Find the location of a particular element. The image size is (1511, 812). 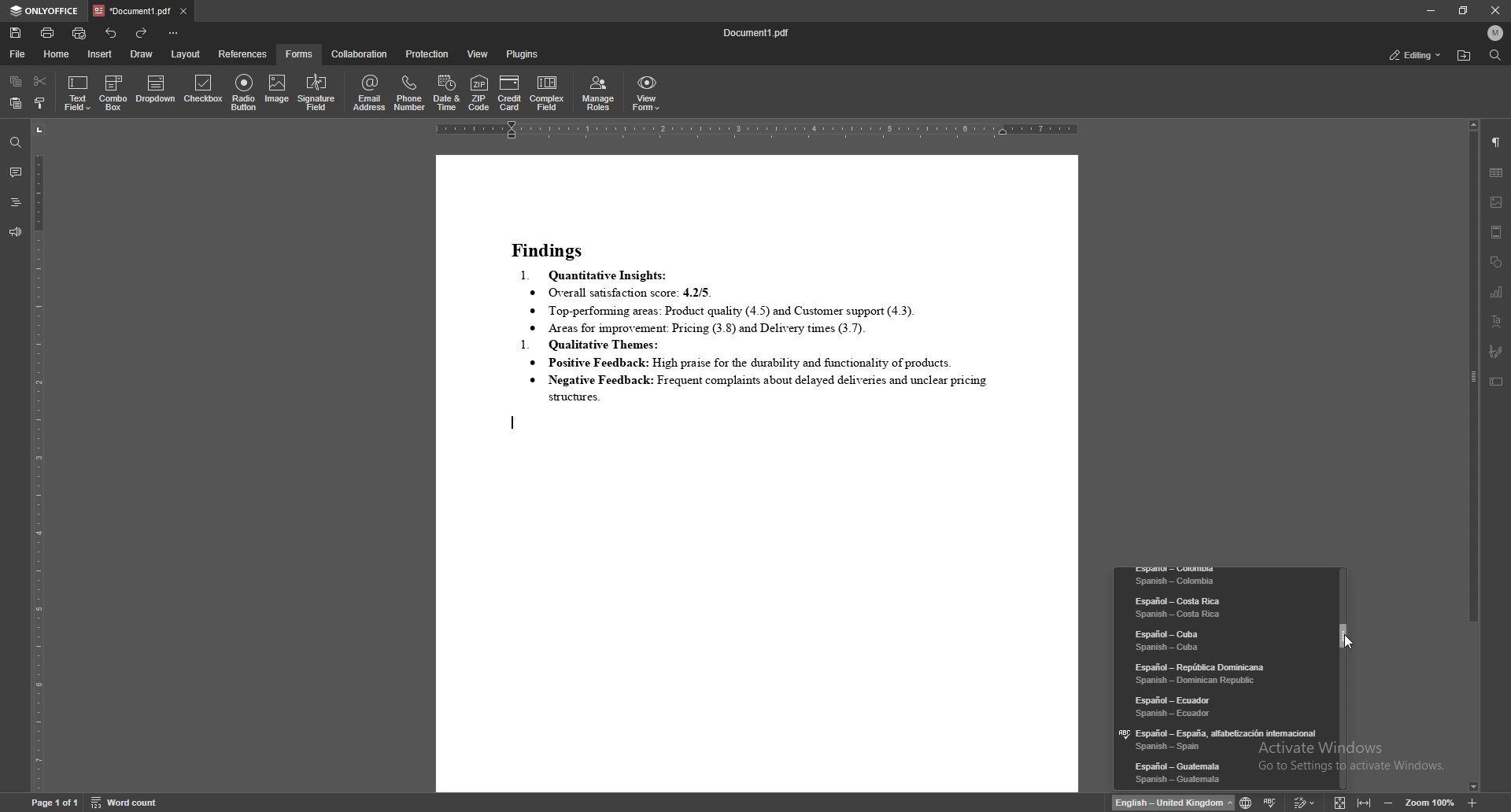

close tab is located at coordinates (183, 12).